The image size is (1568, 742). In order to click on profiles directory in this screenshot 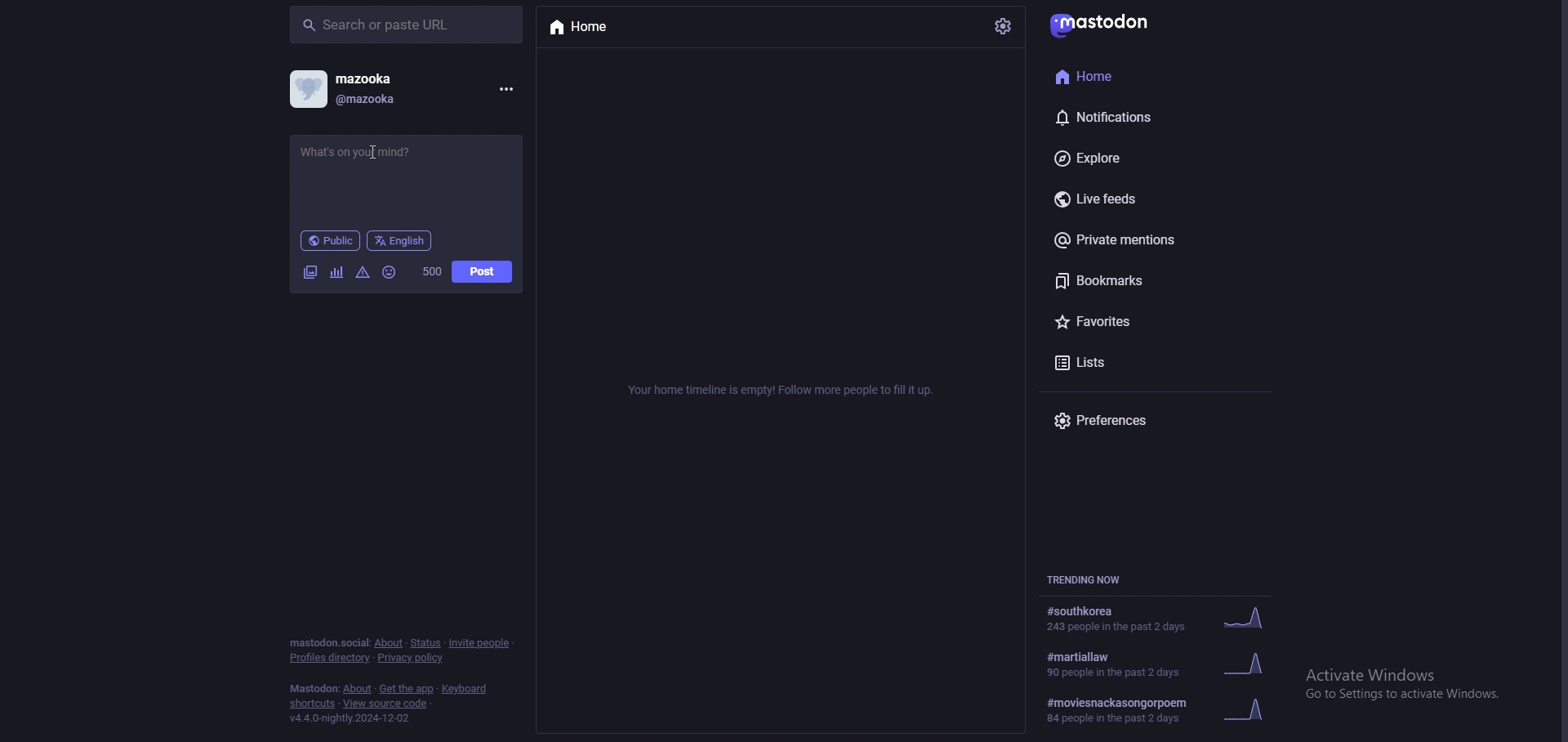, I will do `click(328, 658)`.